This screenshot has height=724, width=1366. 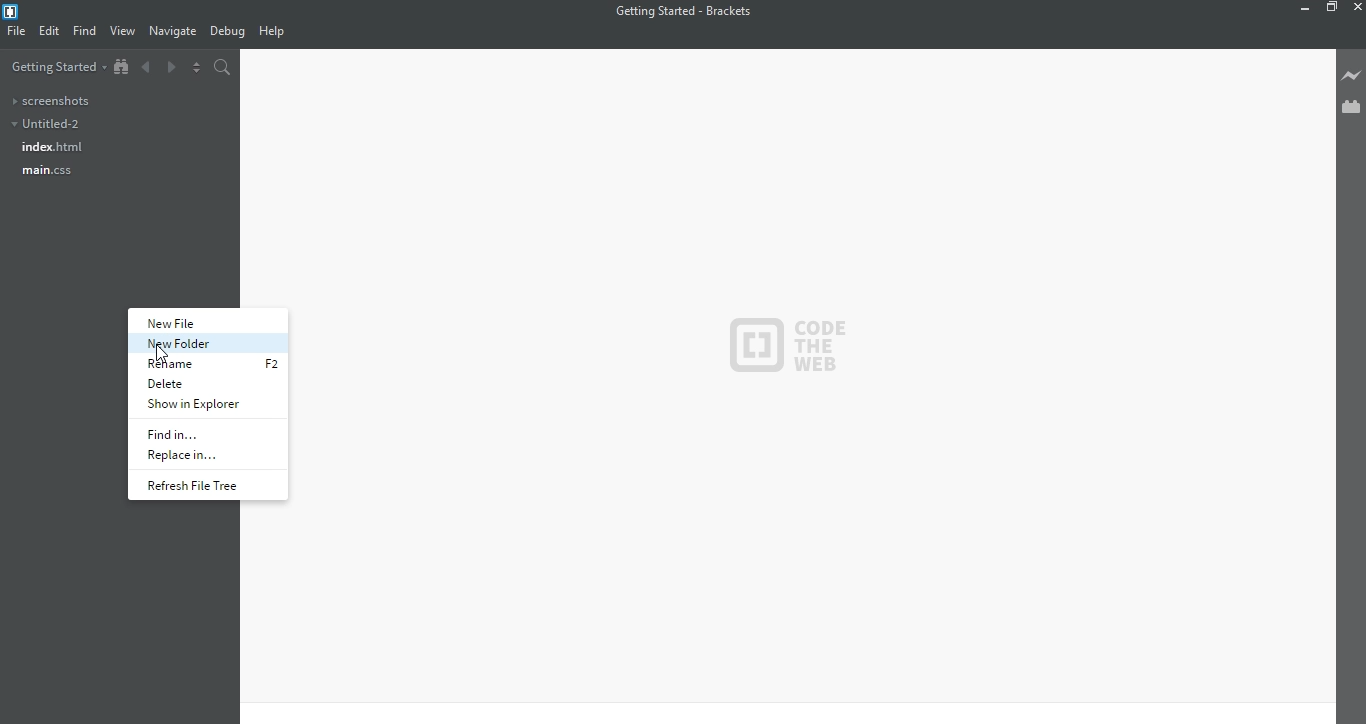 What do you see at coordinates (197, 486) in the screenshot?
I see `refresh file tree` at bounding box center [197, 486].